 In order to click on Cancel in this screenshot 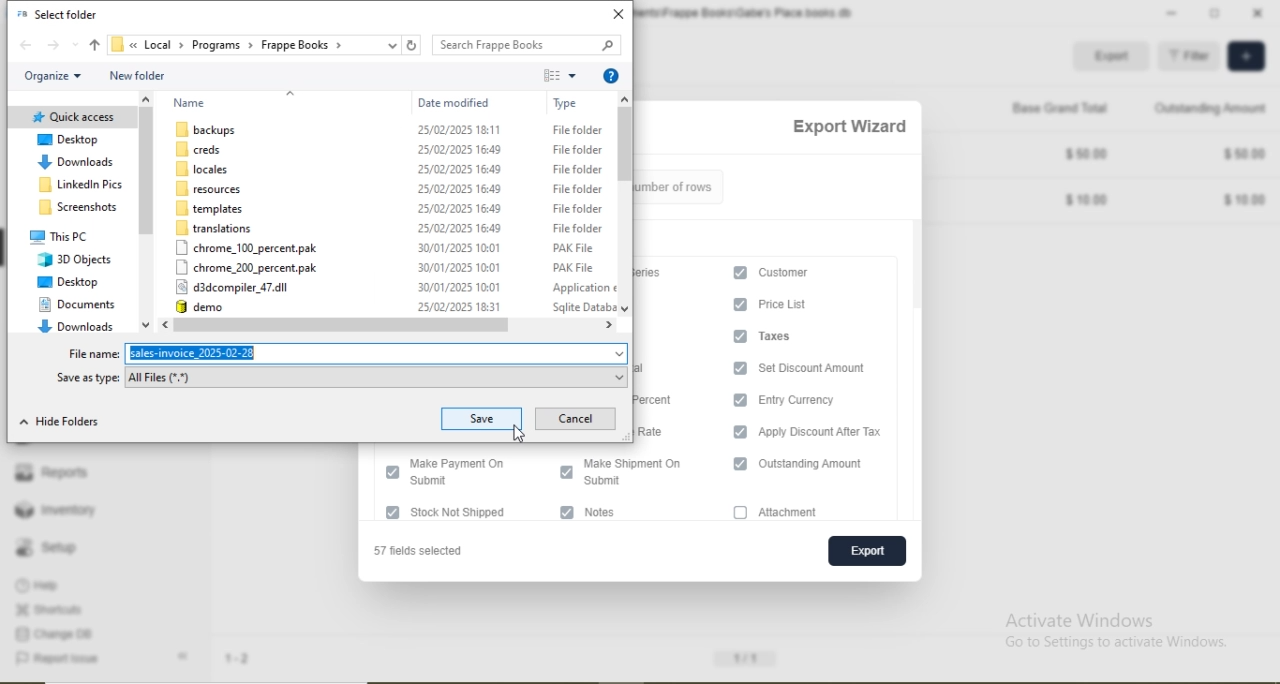, I will do `click(580, 419)`.